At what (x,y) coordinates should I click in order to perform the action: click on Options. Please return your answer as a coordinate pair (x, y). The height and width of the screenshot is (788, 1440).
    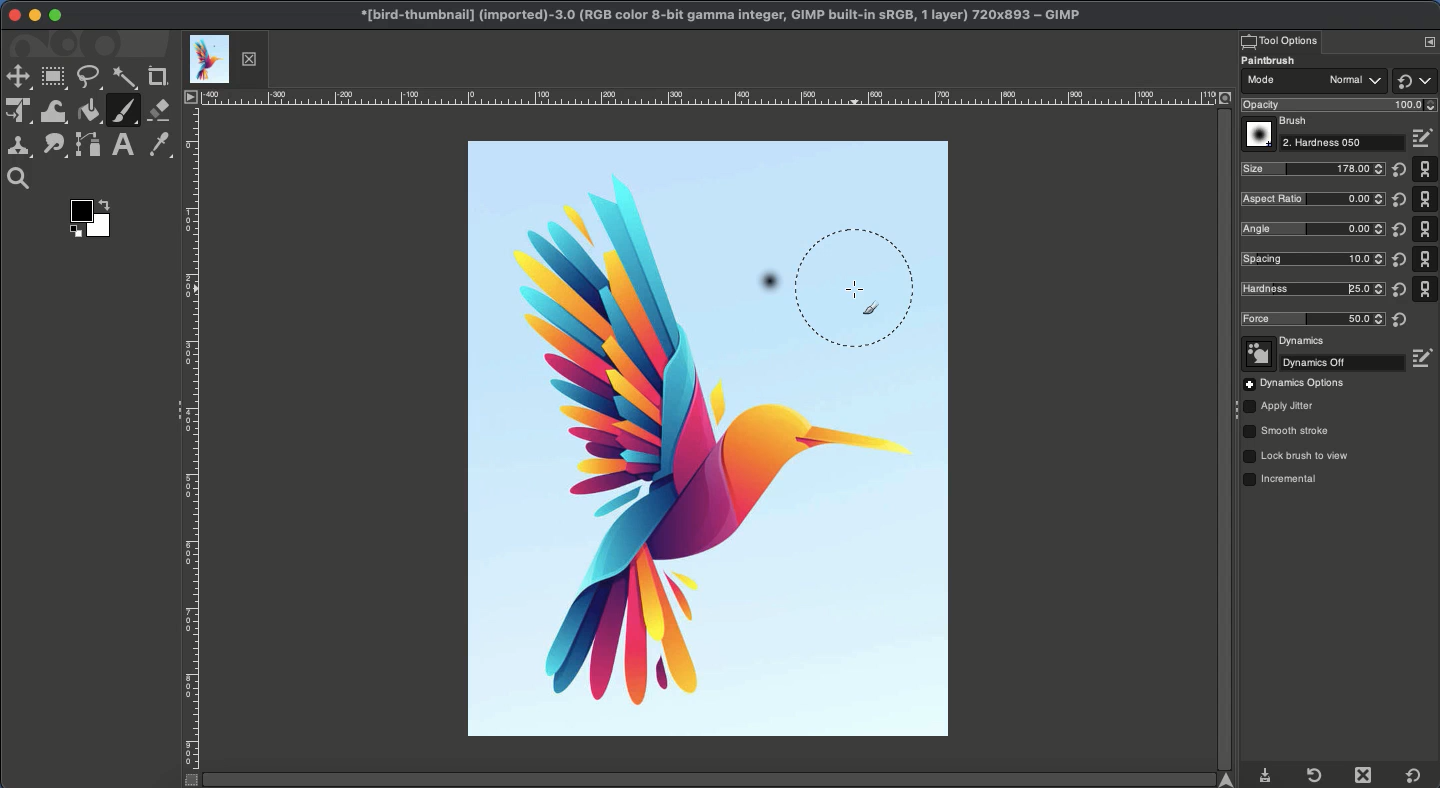
    Looking at the image, I should click on (1294, 384).